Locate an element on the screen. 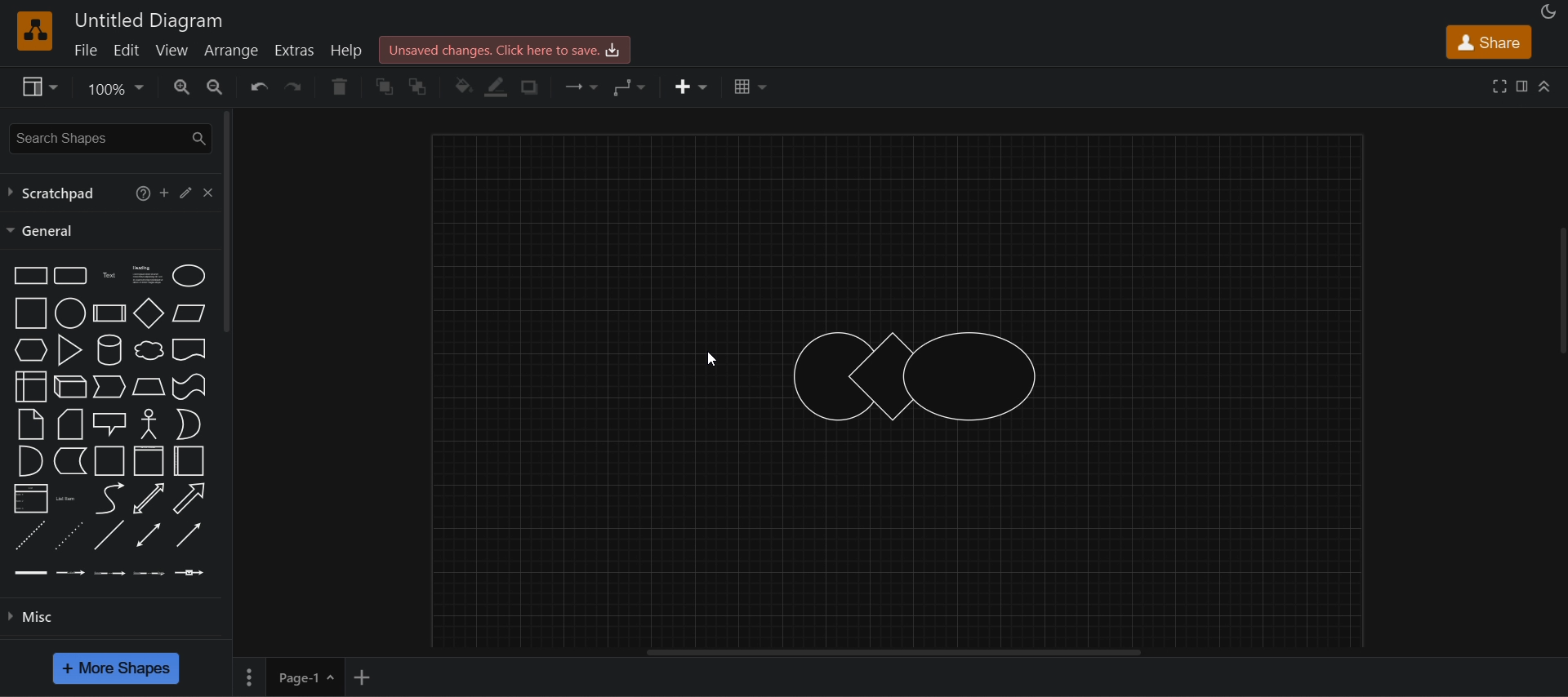 Image resolution: width=1568 pixels, height=697 pixels. link is located at coordinates (31, 571).